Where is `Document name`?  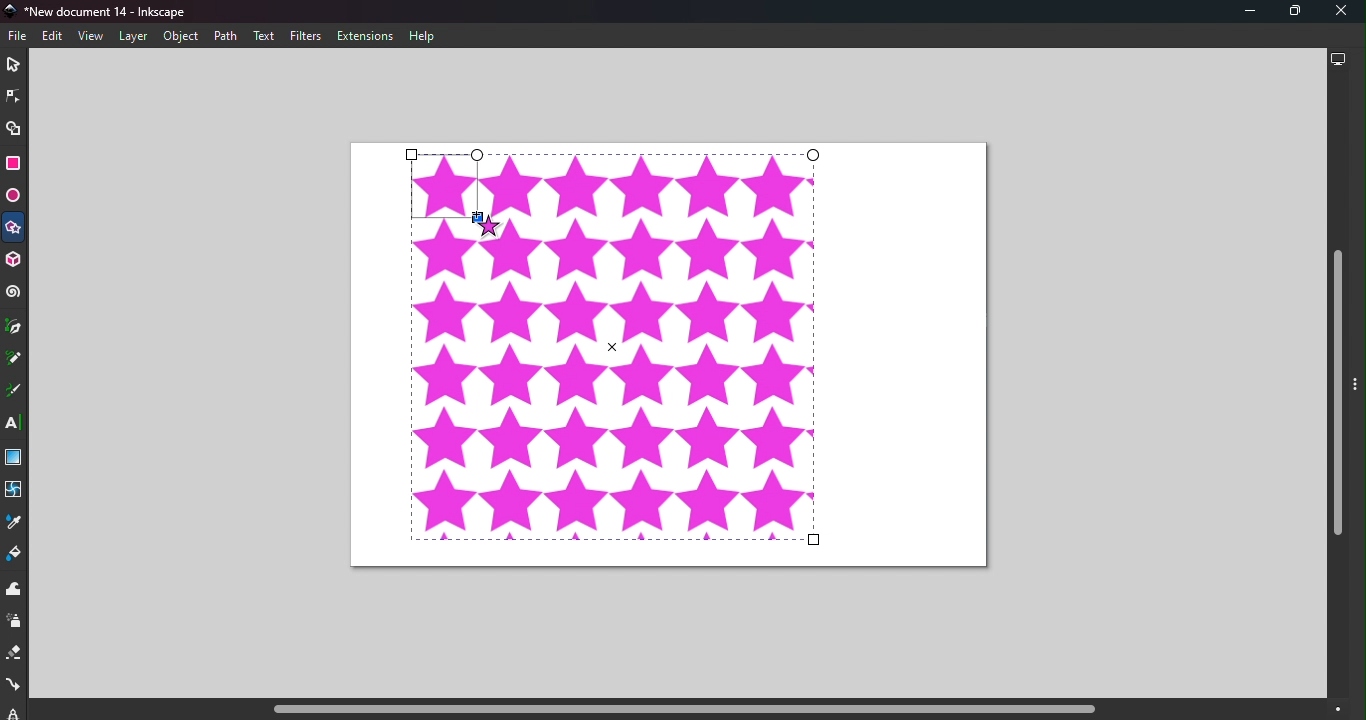
Document name is located at coordinates (104, 11).